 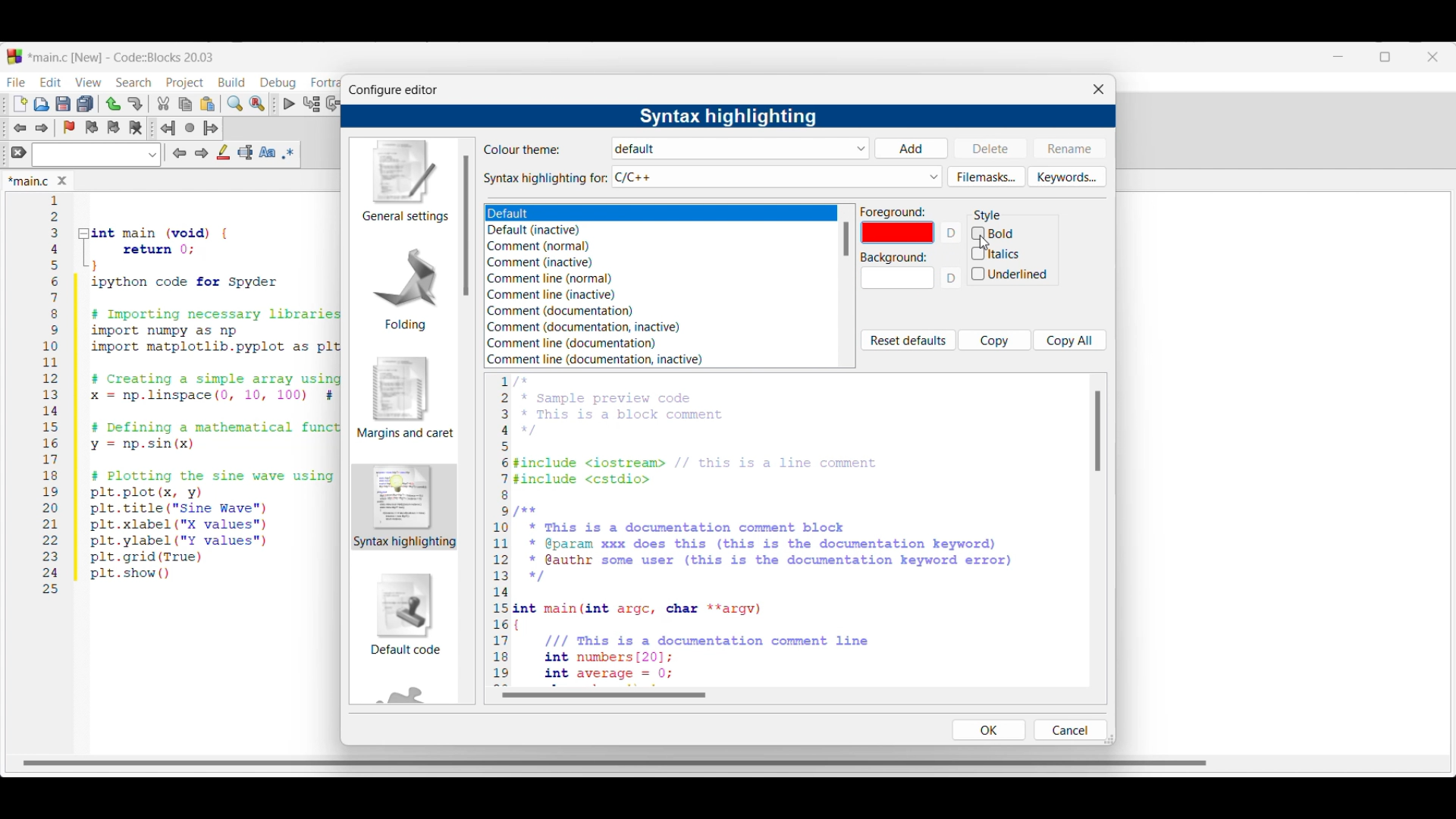 What do you see at coordinates (953, 282) in the screenshot?
I see `D` at bounding box center [953, 282].